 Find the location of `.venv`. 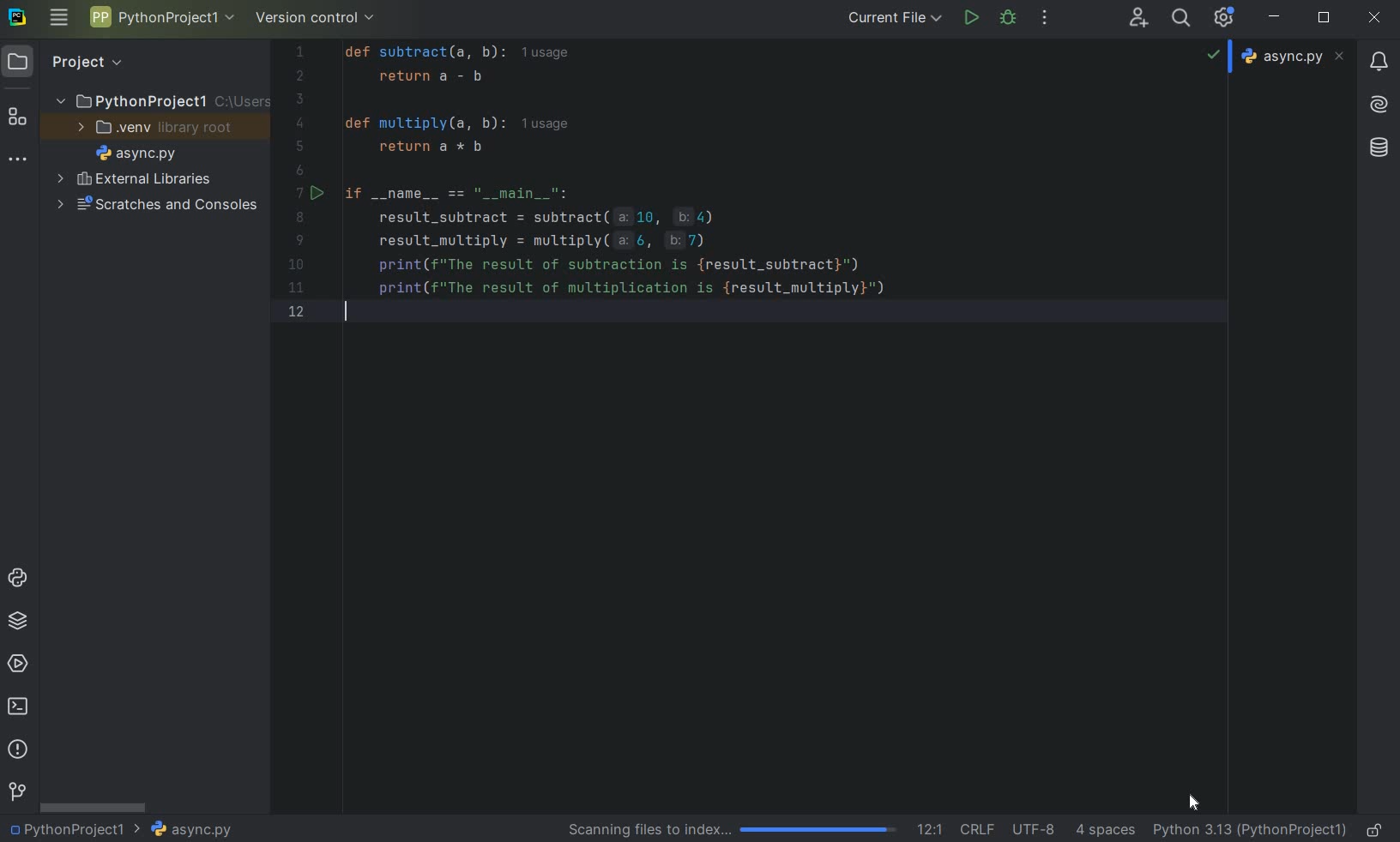

.venv is located at coordinates (155, 127).